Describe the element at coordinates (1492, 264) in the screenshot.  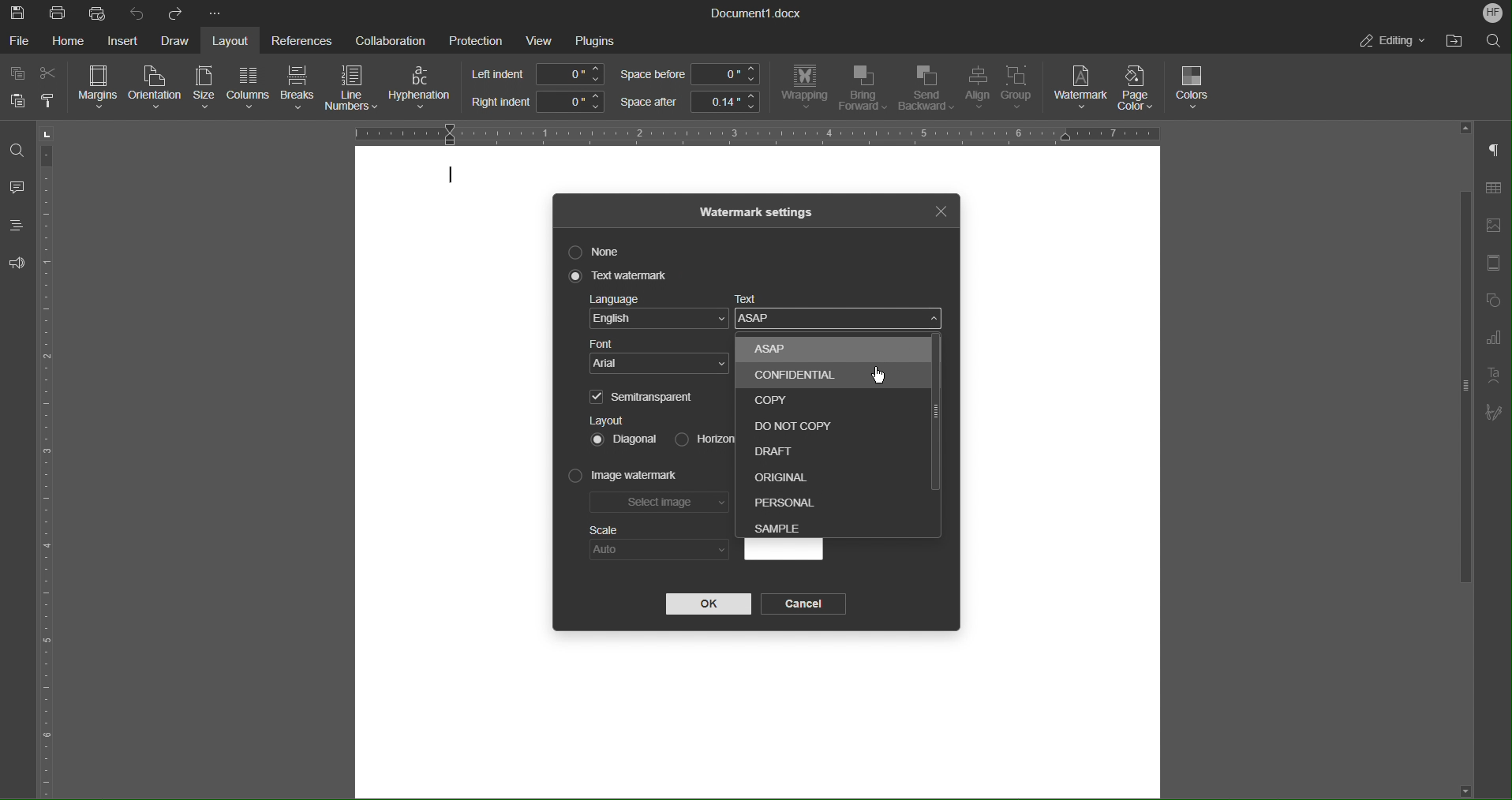
I see `Page Template` at that location.